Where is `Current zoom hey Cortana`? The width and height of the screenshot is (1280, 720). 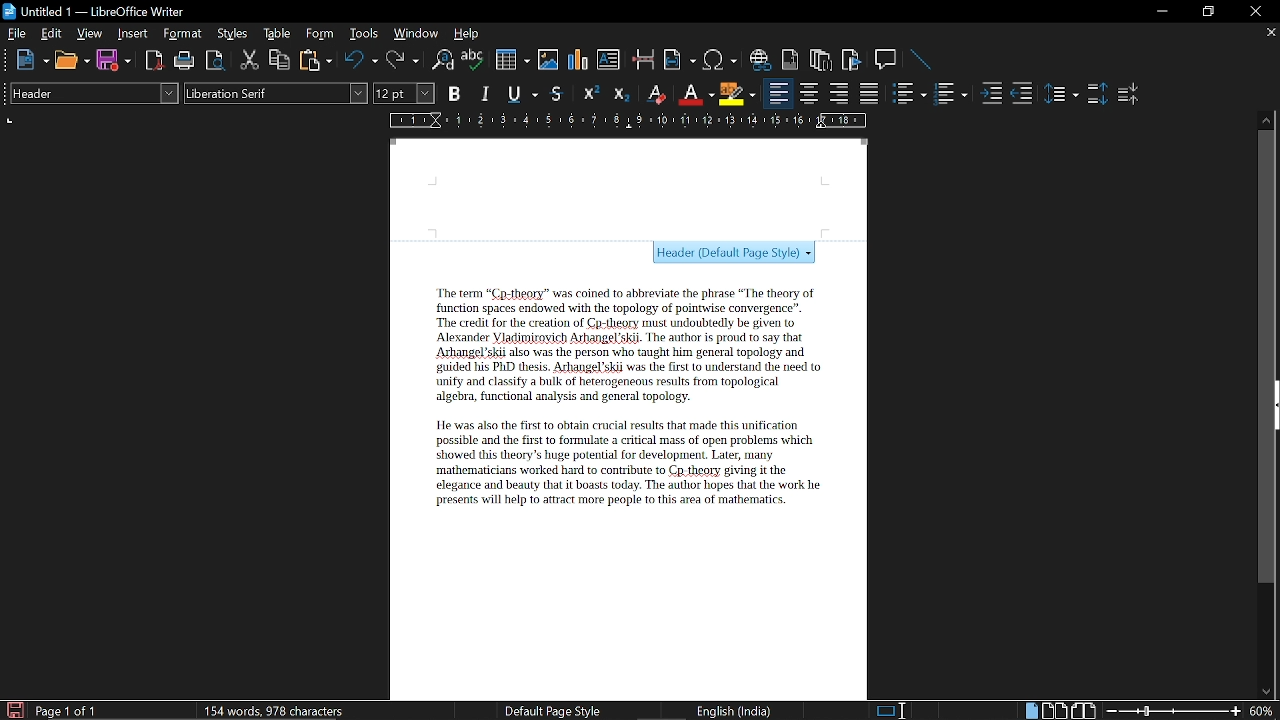 Current zoom hey Cortana is located at coordinates (1261, 710).